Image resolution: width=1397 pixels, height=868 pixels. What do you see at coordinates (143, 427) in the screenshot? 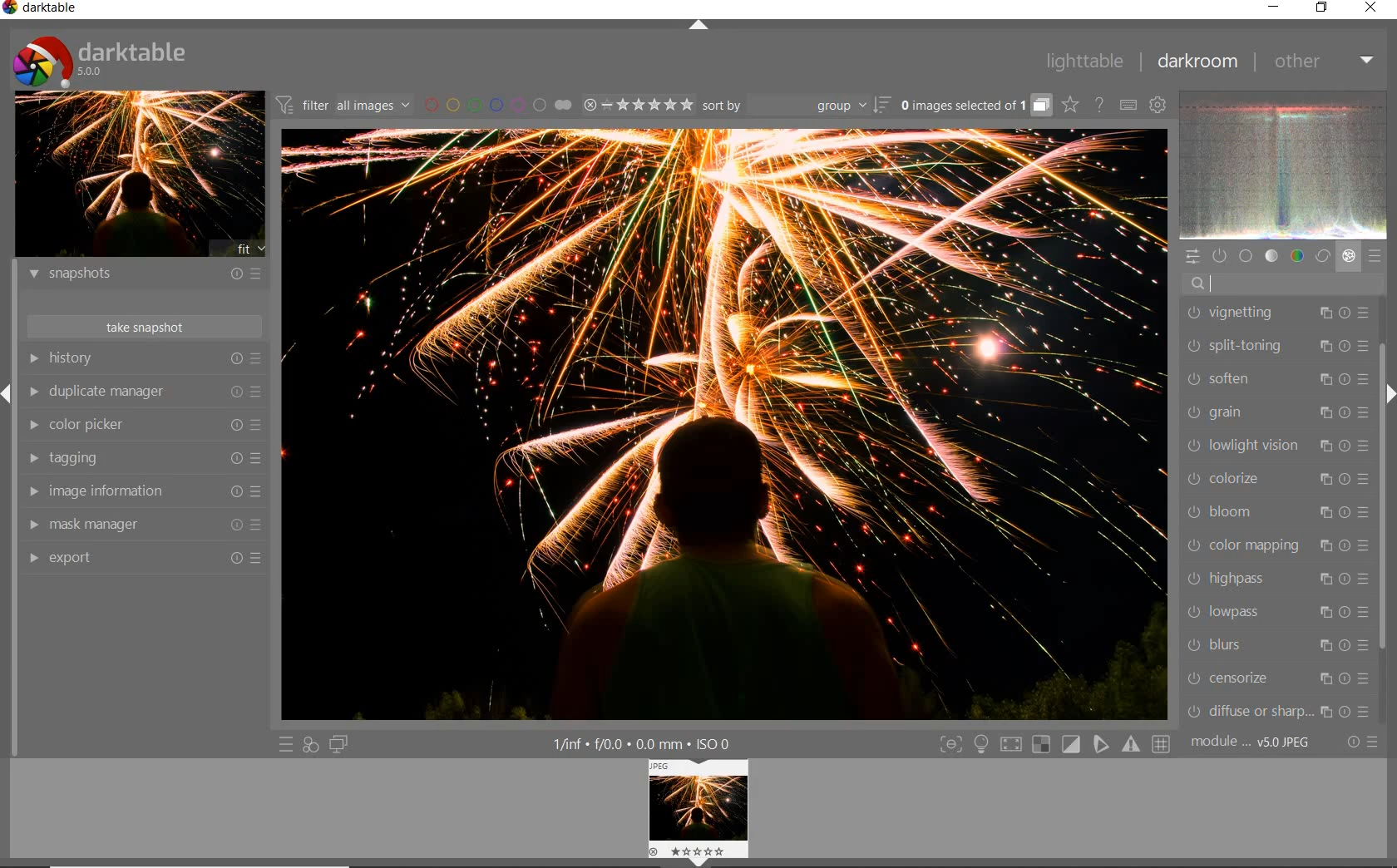
I see `color picker` at bounding box center [143, 427].